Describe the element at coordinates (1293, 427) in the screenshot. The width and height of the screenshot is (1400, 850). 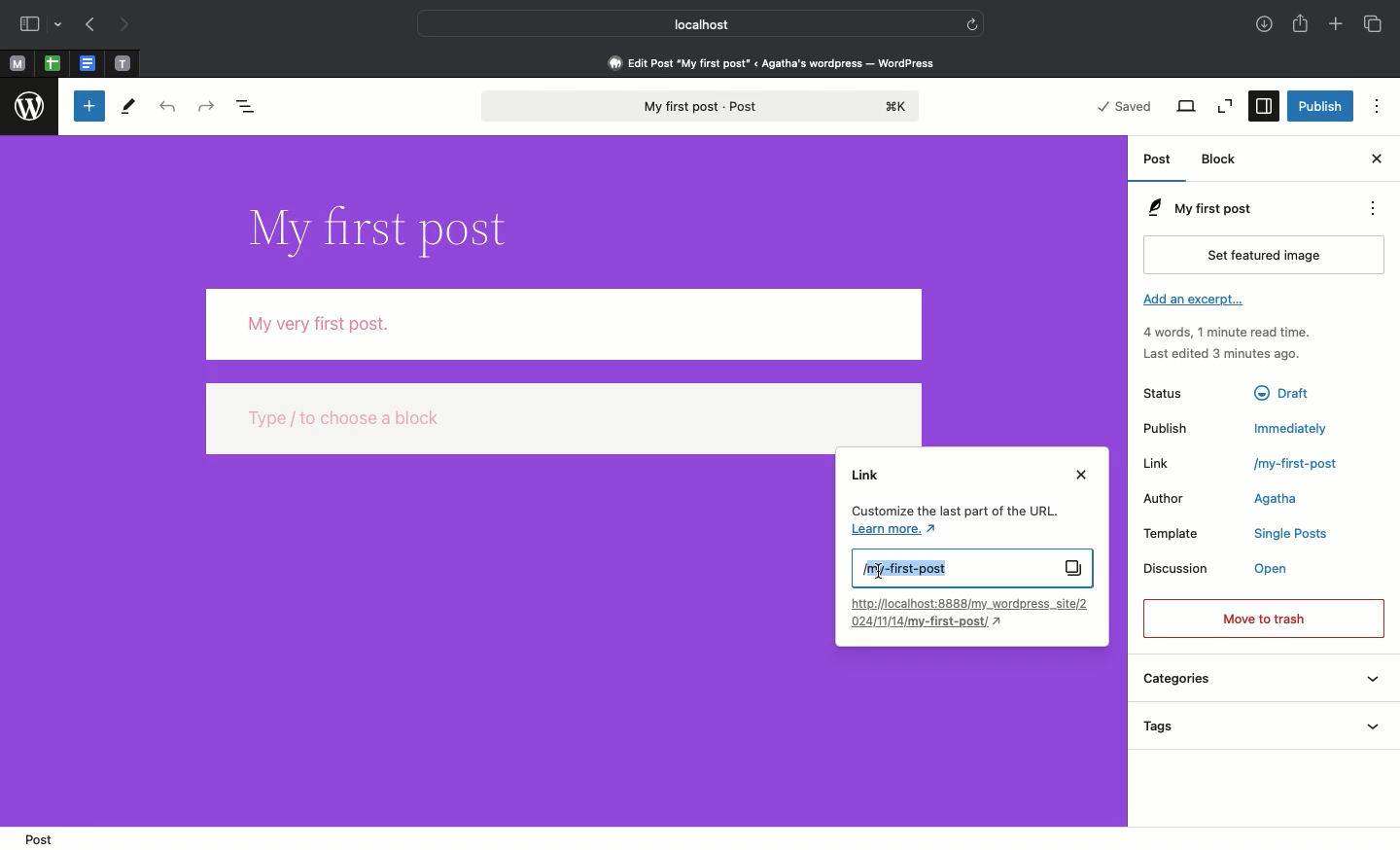
I see `Immediately` at that location.